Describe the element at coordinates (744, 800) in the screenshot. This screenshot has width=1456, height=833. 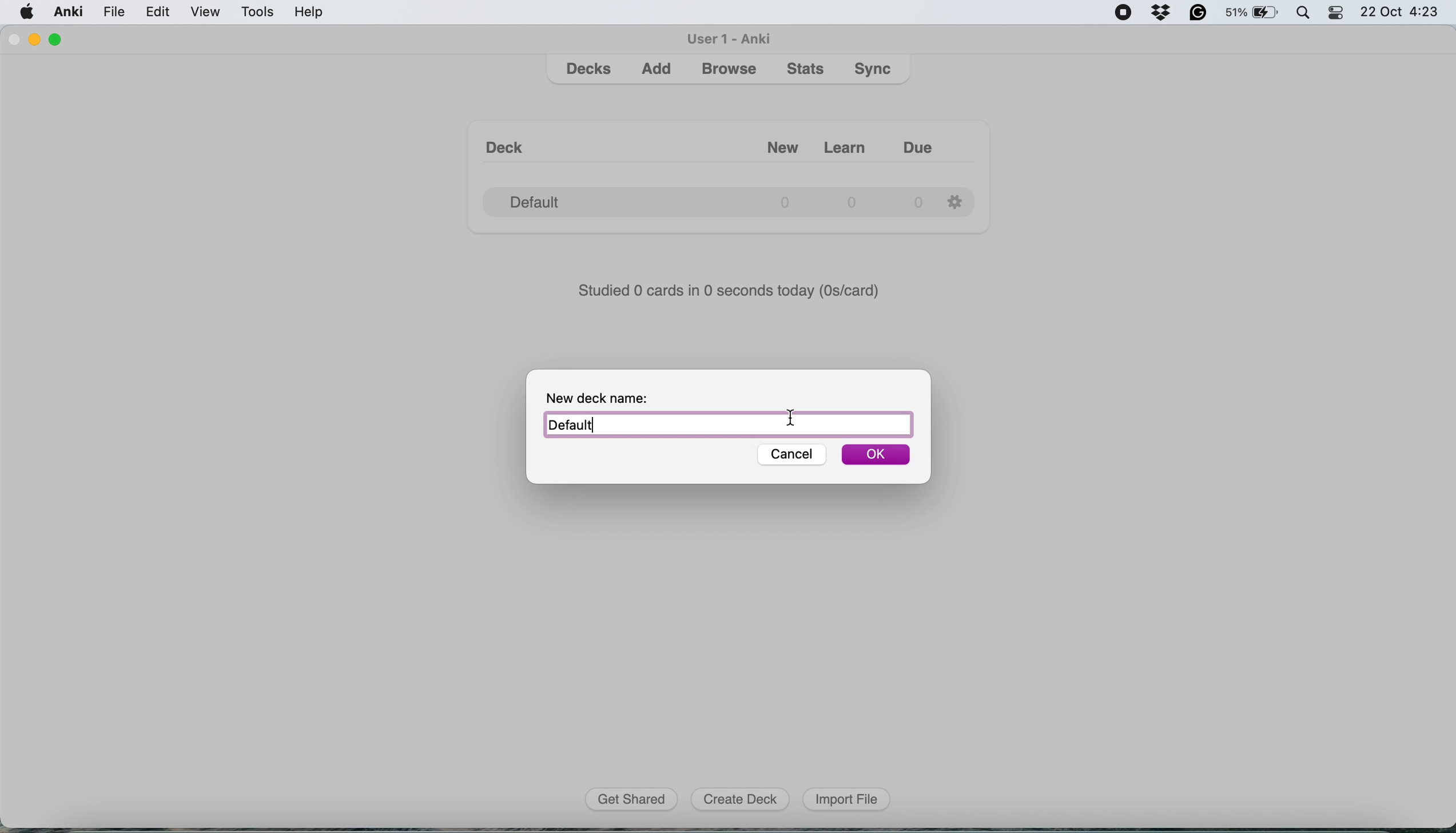
I see `create deck` at that location.